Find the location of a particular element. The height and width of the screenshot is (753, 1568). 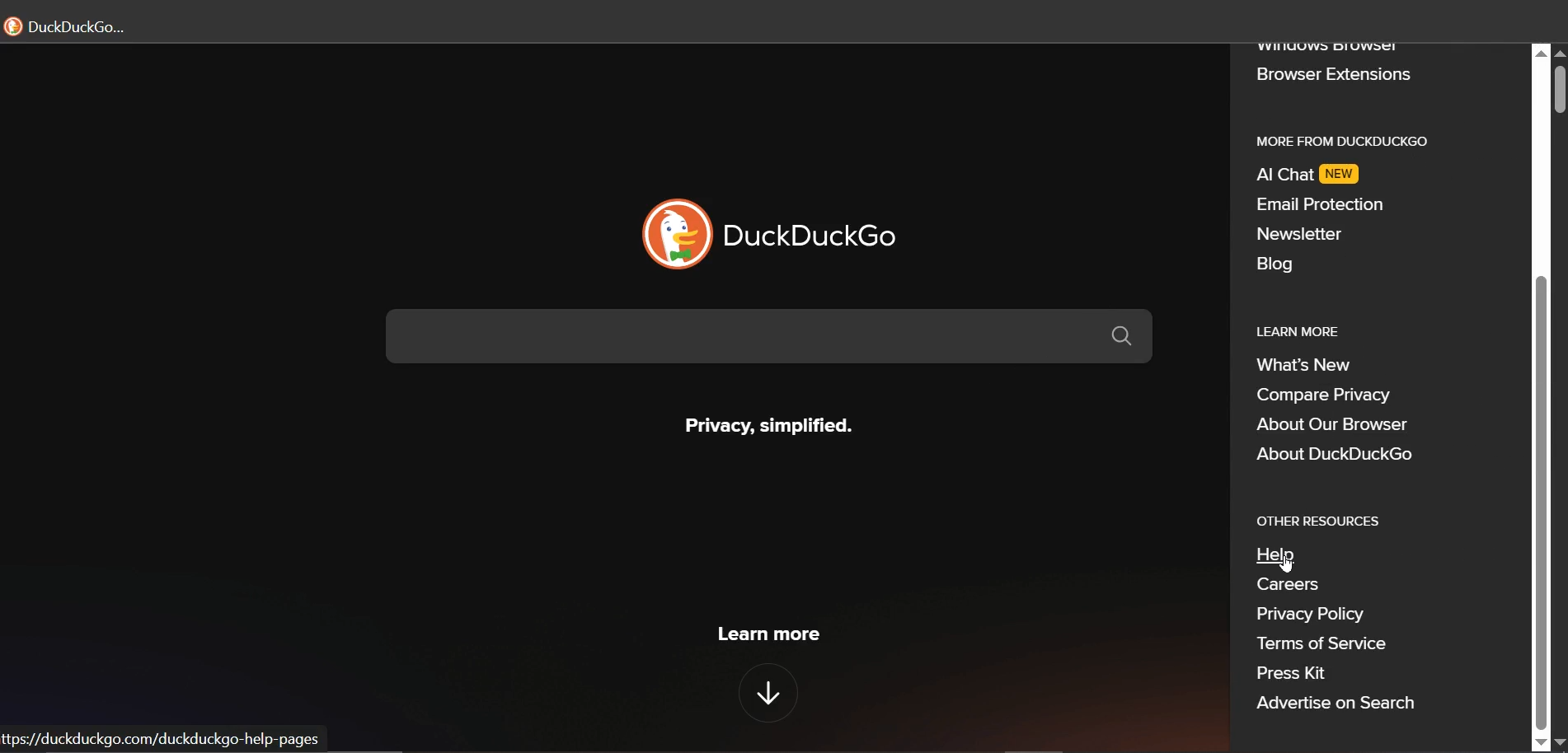

terms of service is located at coordinates (1342, 645).